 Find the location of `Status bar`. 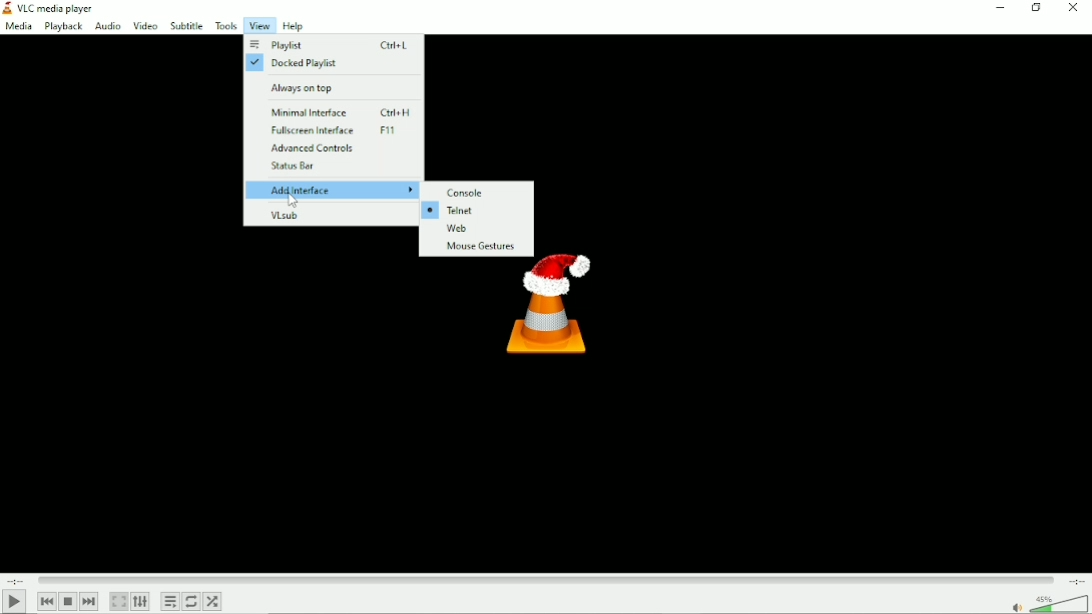

Status bar is located at coordinates (289, 166).